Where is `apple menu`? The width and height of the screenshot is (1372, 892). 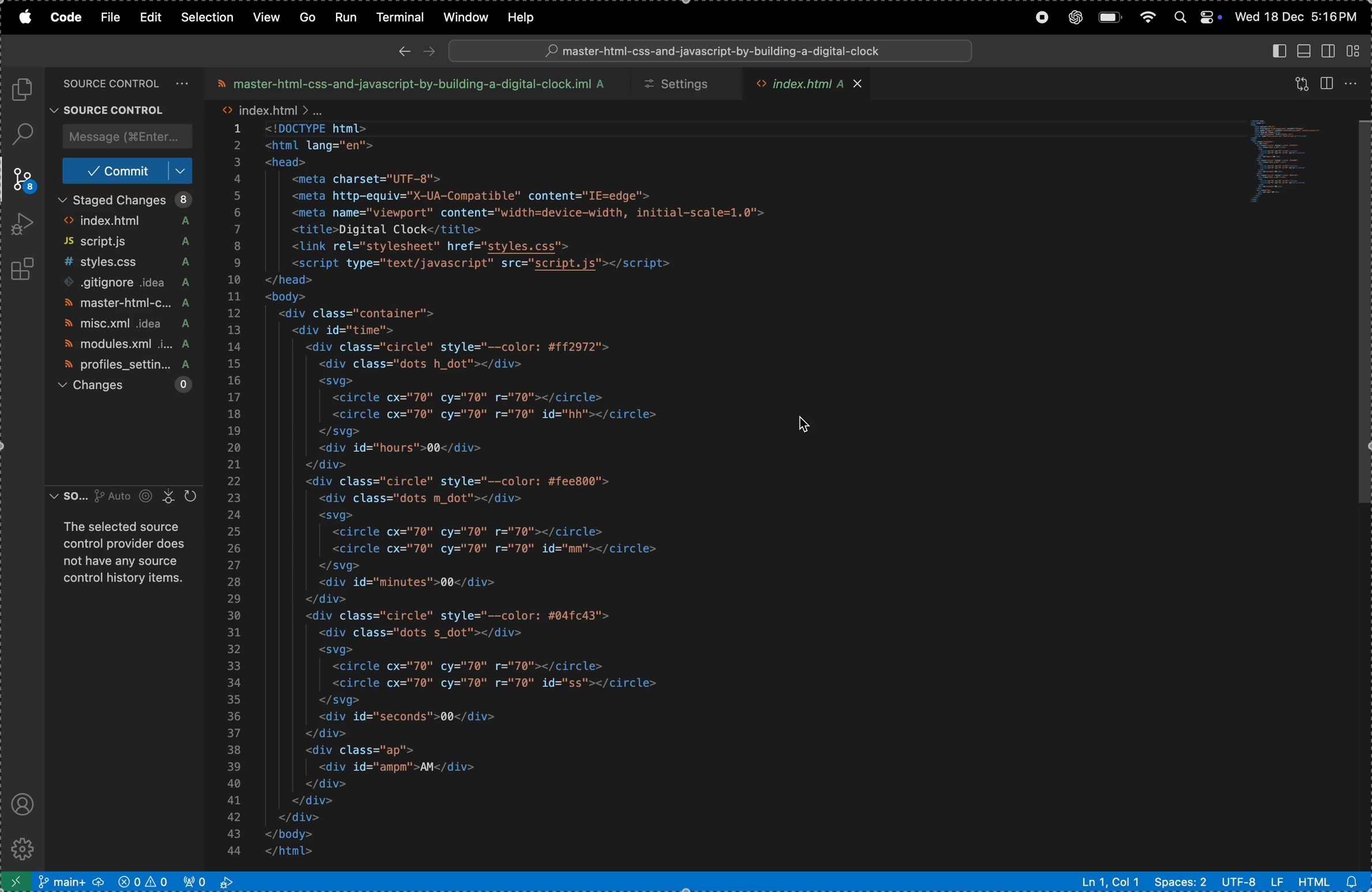 apple menu is located at coordinates (27, 18).